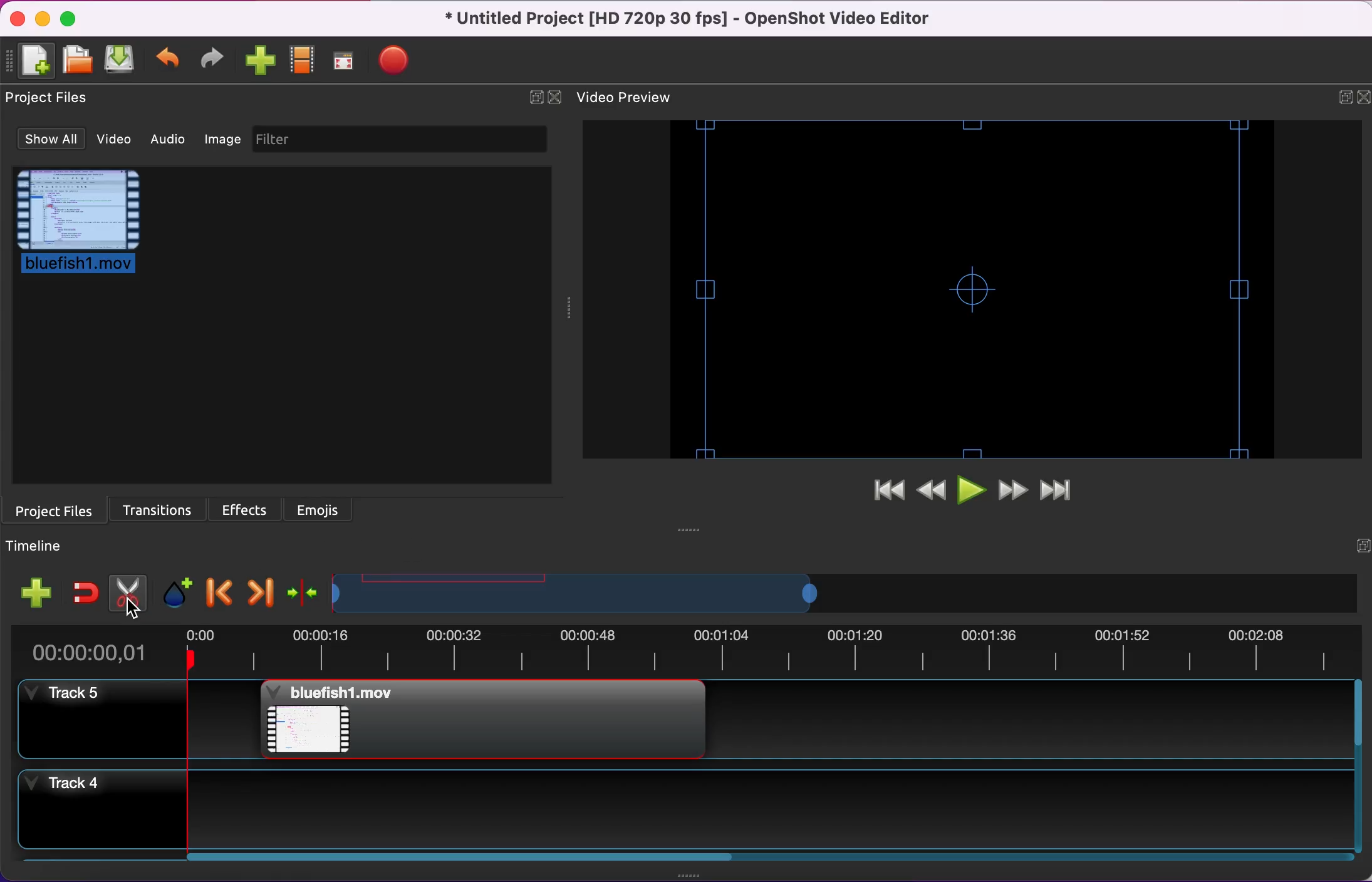  I want to click on track 5, so click(100, 722).